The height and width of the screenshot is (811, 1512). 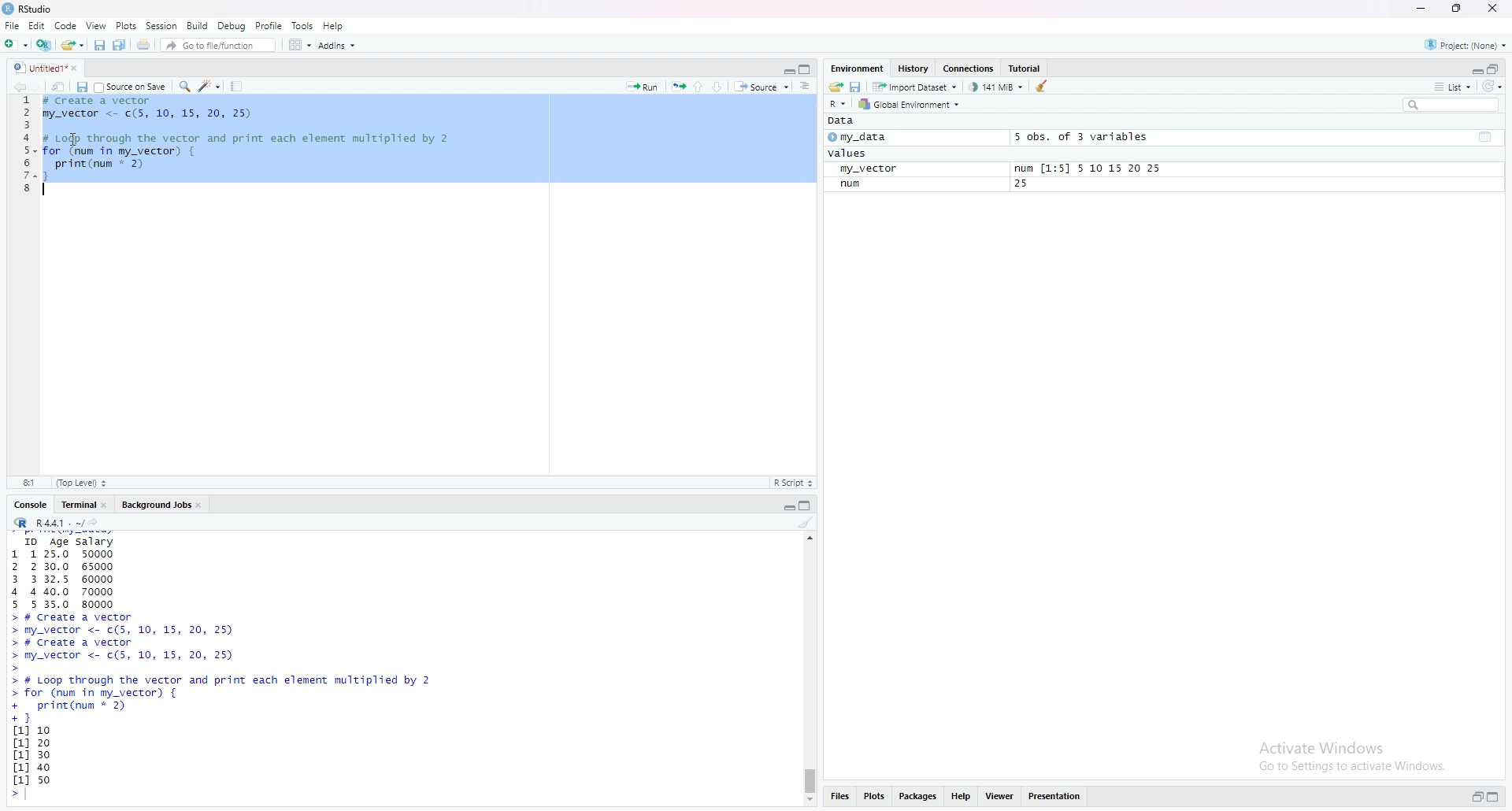 What do you see at coordinates (16, 46) in the screenshot?
I see `new file` at bounding box center [16, 46].